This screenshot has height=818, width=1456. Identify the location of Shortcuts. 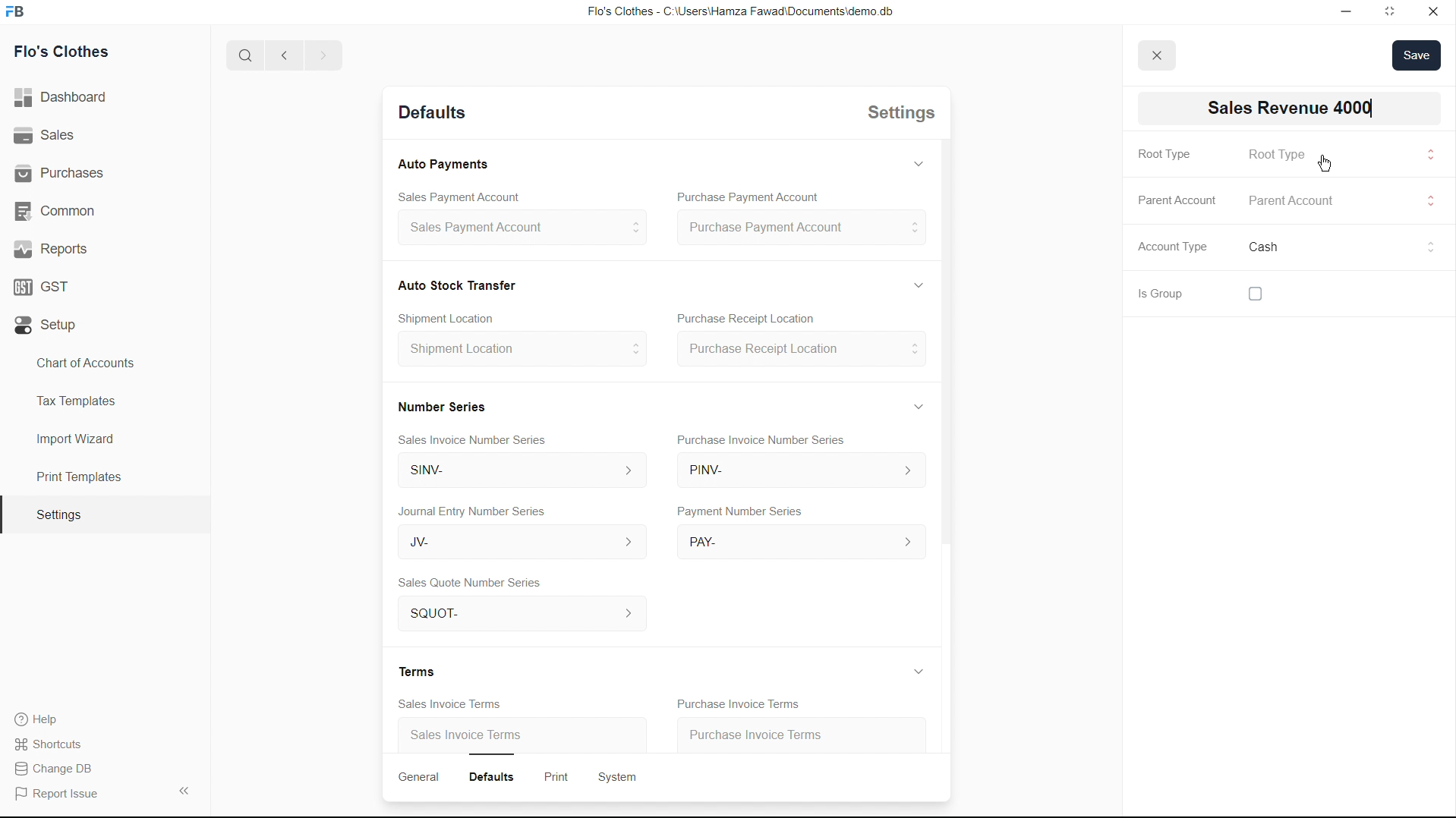
(57, 743).